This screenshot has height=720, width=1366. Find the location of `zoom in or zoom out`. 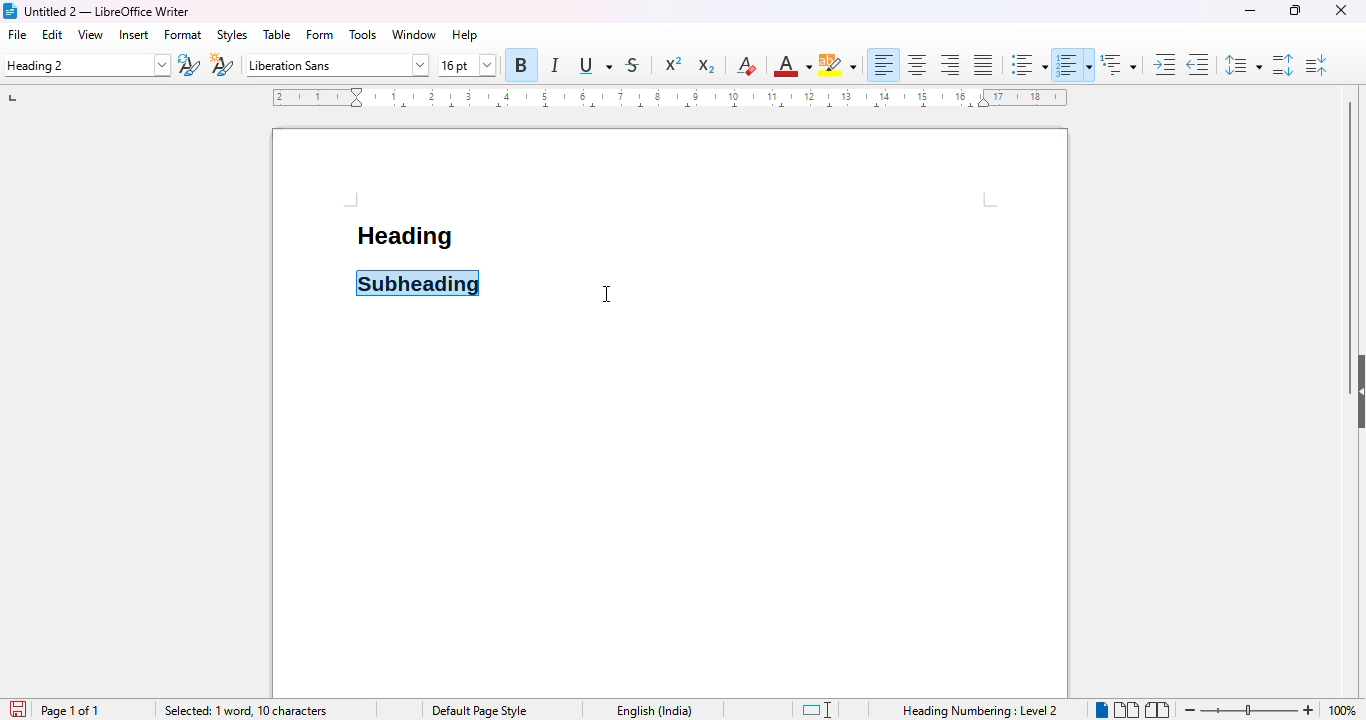

zoom in or zoom out is located at coordinates (1248, 709).